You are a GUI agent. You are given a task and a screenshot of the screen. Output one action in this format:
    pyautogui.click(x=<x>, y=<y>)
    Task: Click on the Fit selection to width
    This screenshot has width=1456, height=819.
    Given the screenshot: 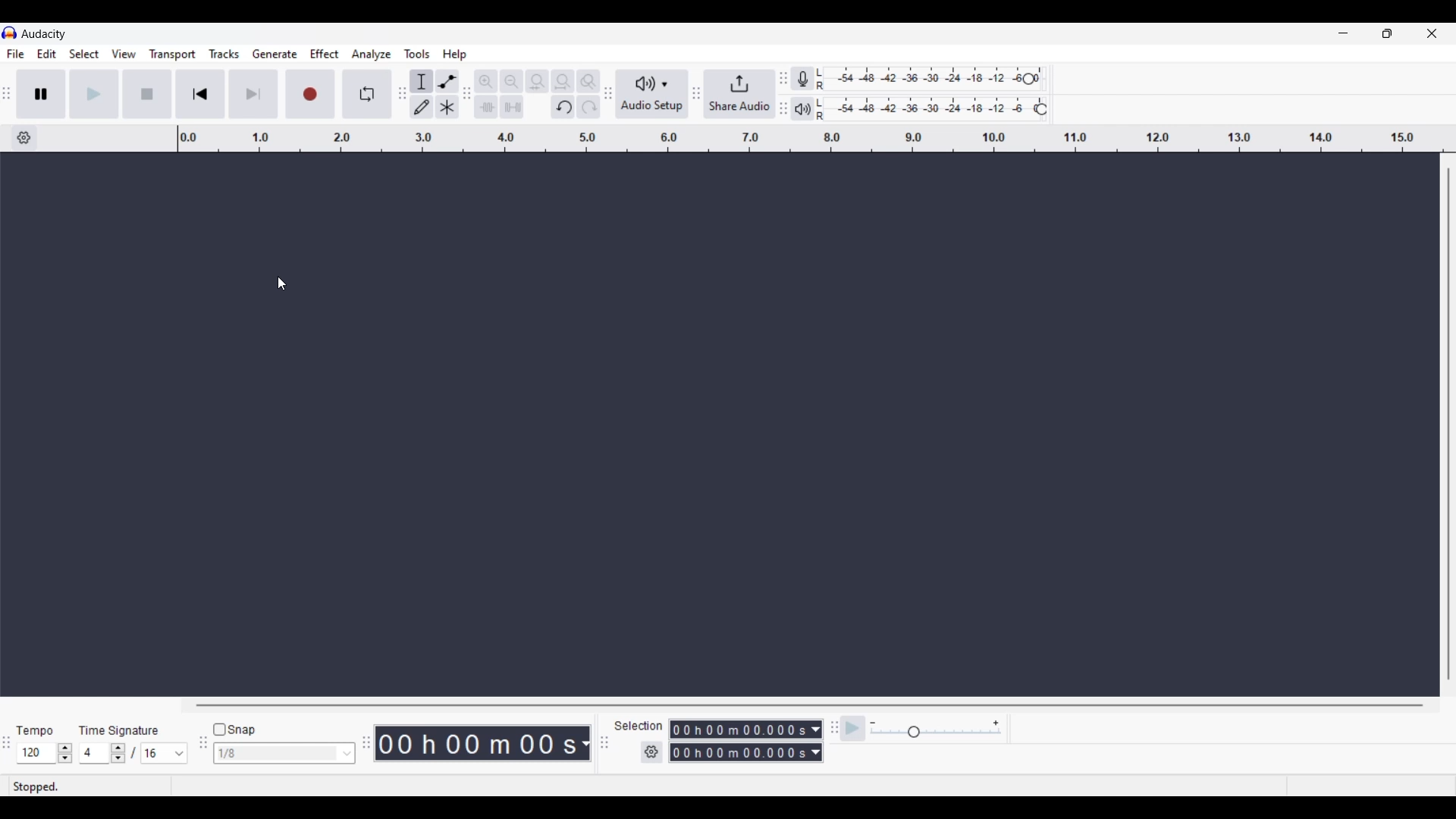 What is the action you would take?
    pyautogui.click(x=537, y=82)
    